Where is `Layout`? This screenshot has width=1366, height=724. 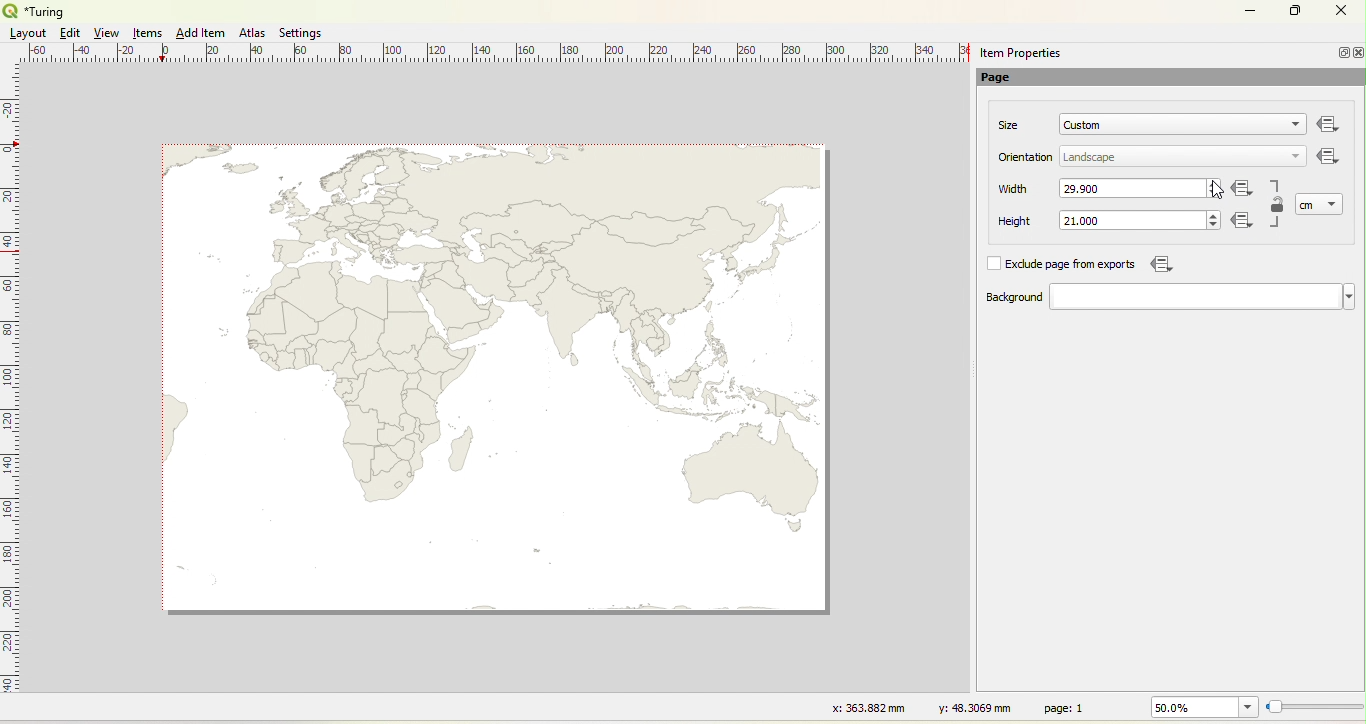 Layout is located at coordinates (28, 33).